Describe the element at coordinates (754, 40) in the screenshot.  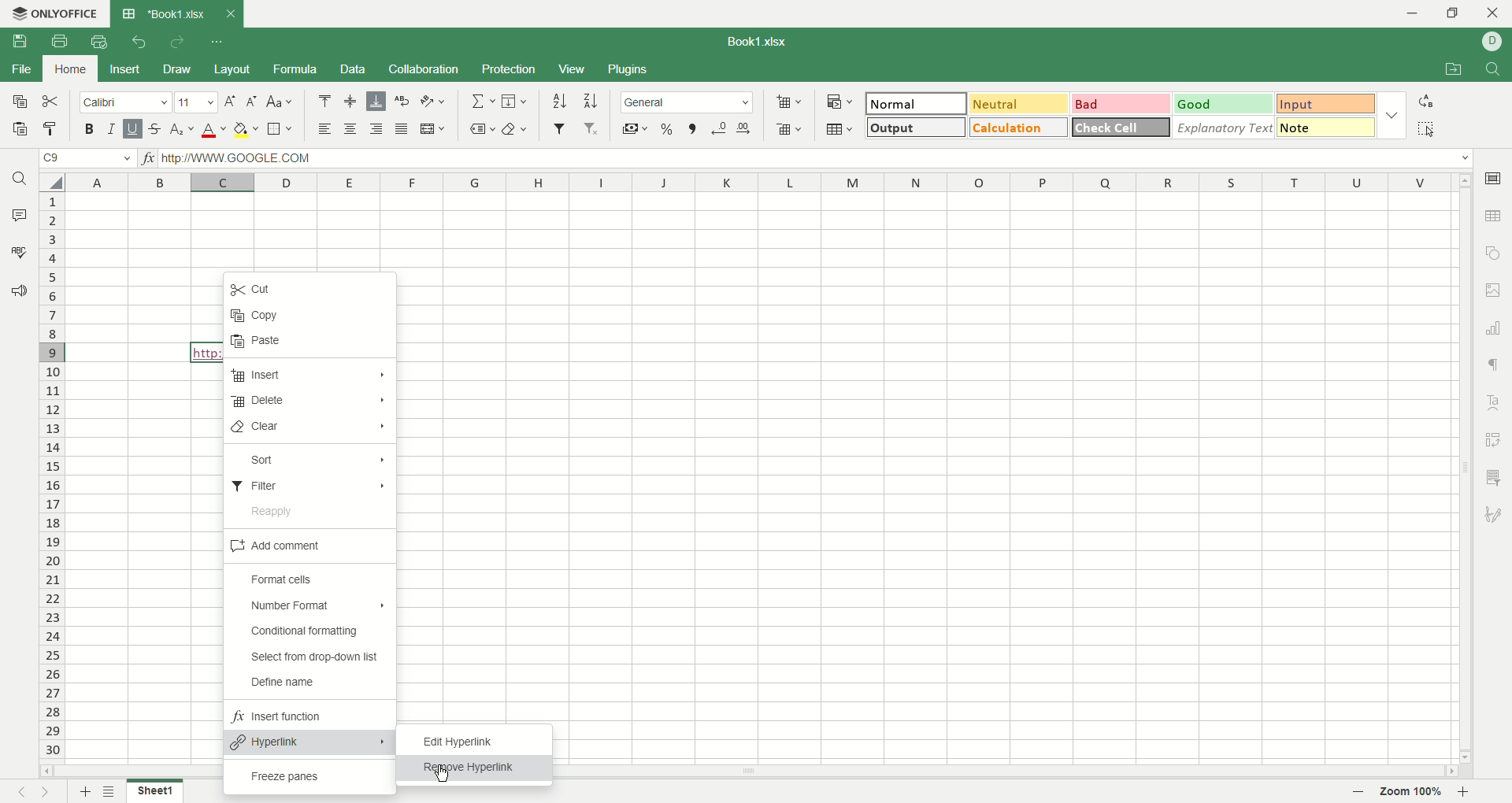
I see `book name` at that location.